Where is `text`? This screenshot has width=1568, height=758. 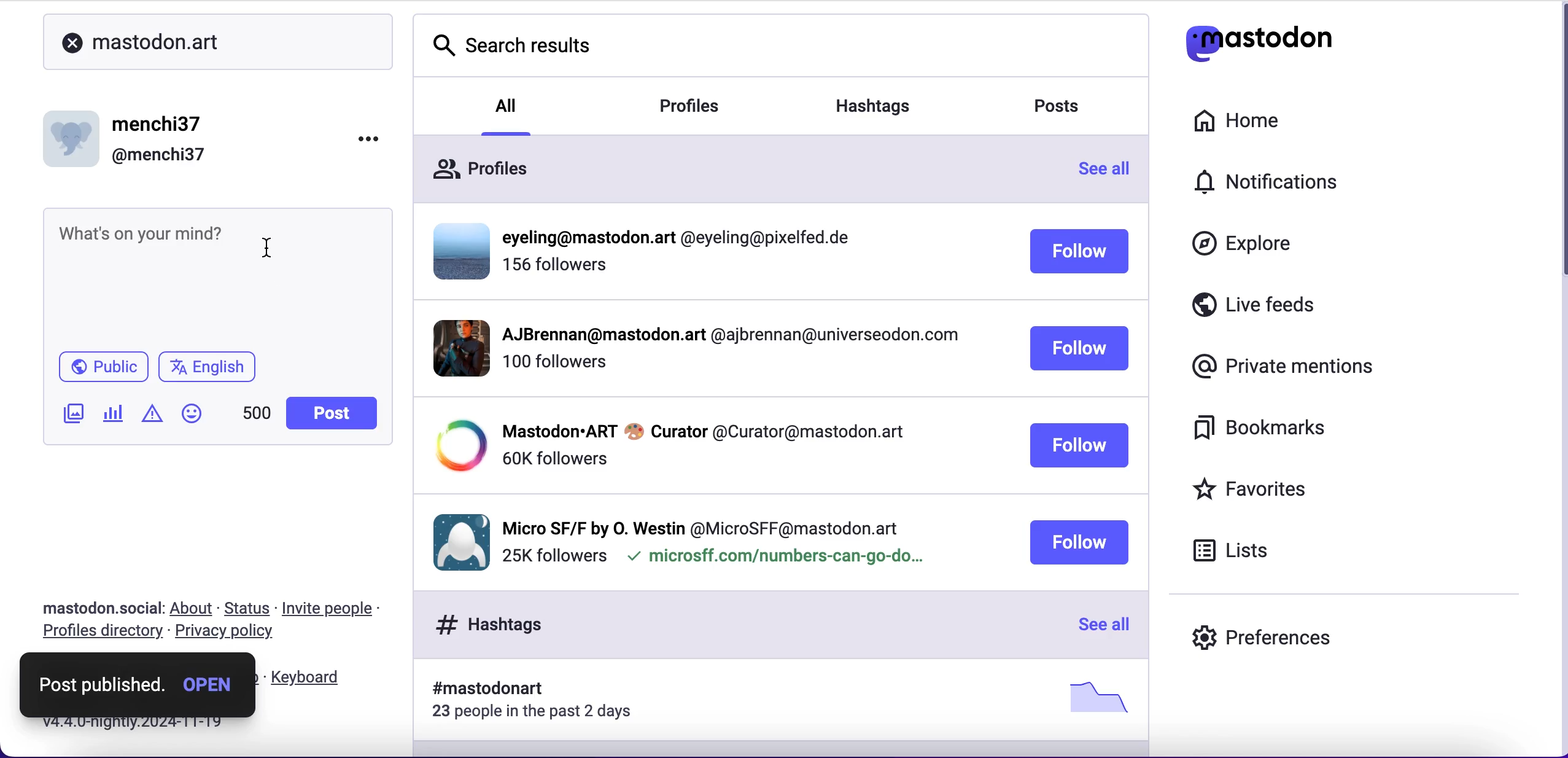
text is located at coordinates (145, 233).